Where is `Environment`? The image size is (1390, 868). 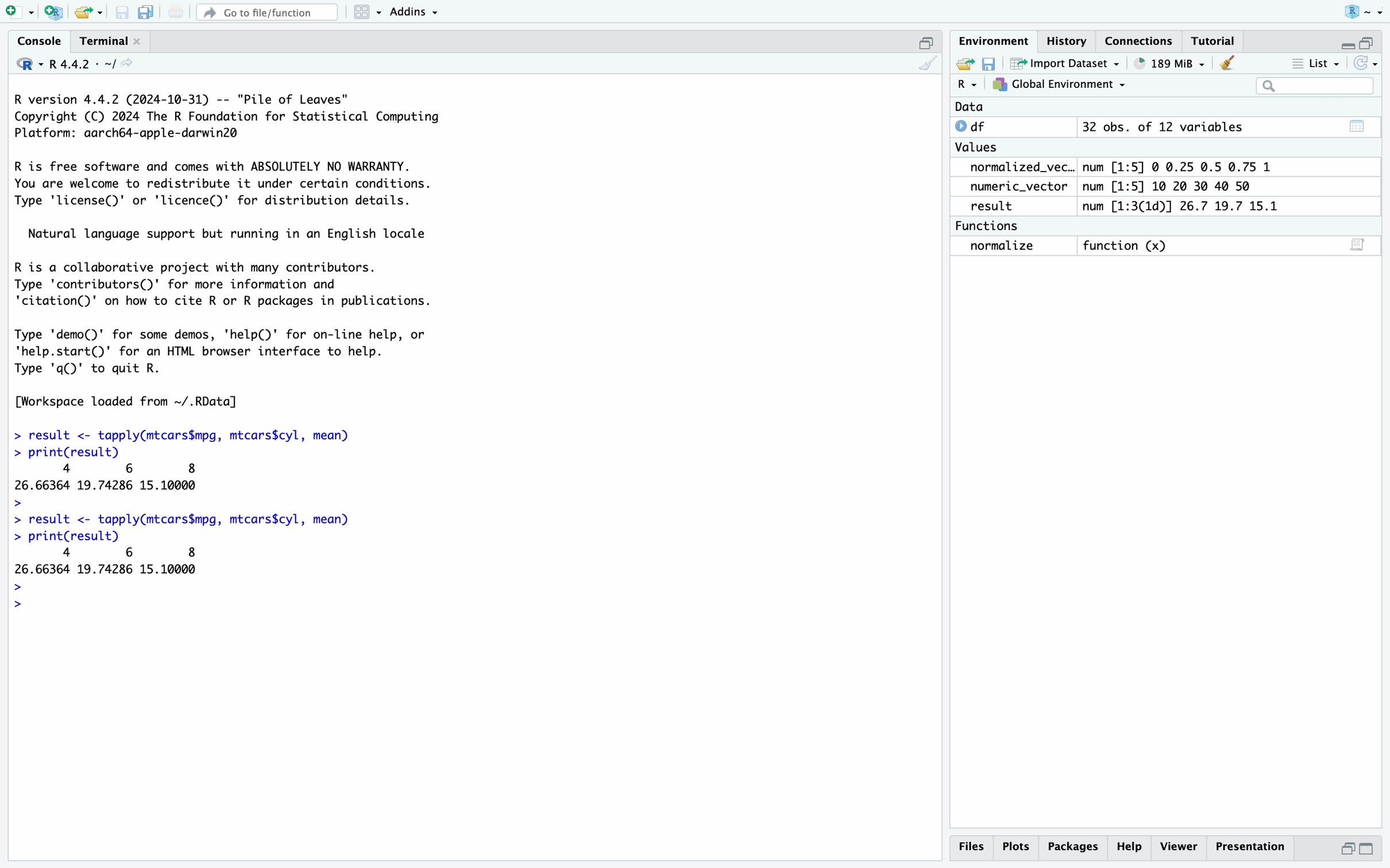
Environment is located at coordinates (994, 40).